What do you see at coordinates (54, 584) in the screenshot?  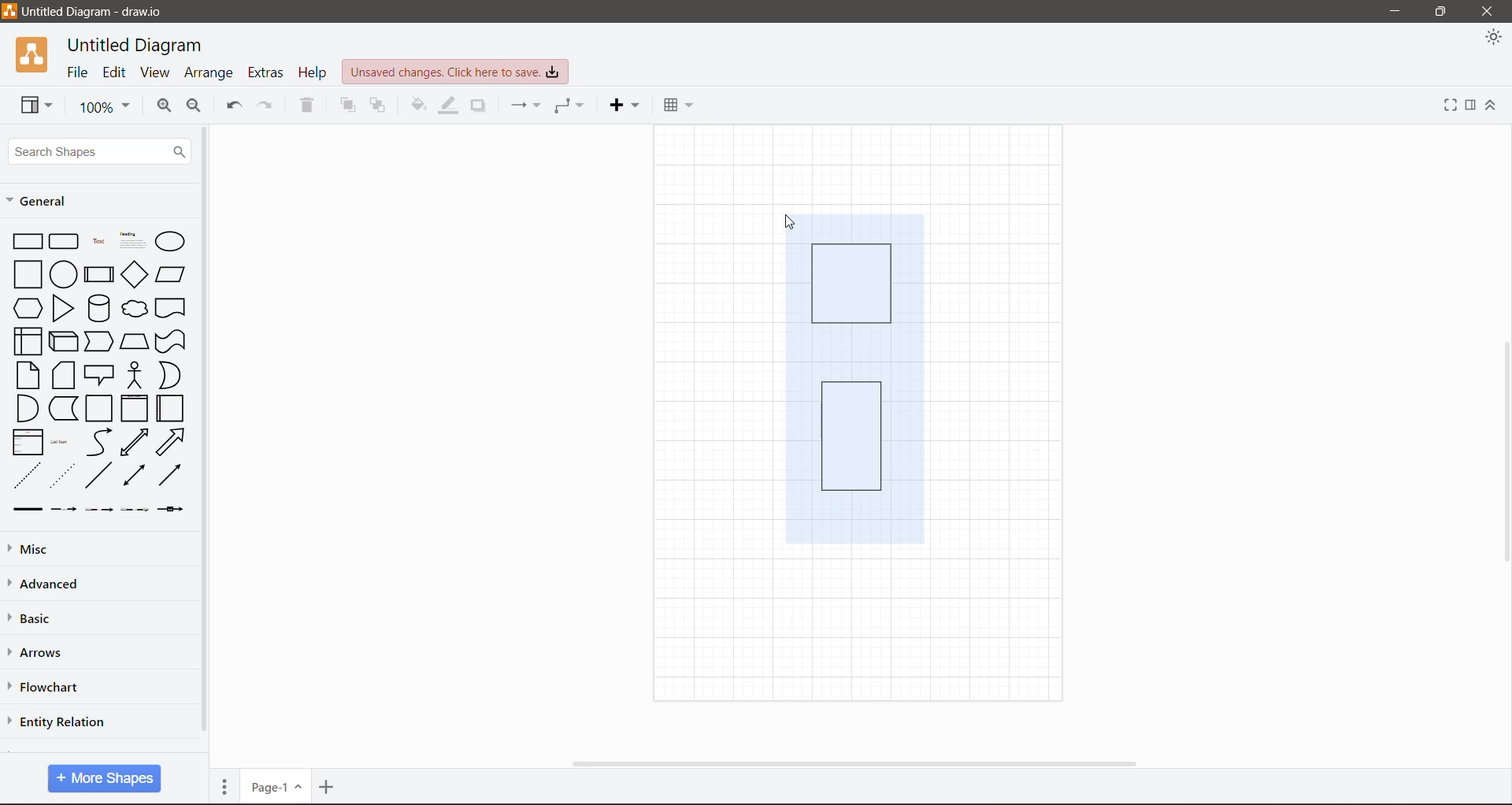 I see `Advanced` at bounding box center [54, 584].